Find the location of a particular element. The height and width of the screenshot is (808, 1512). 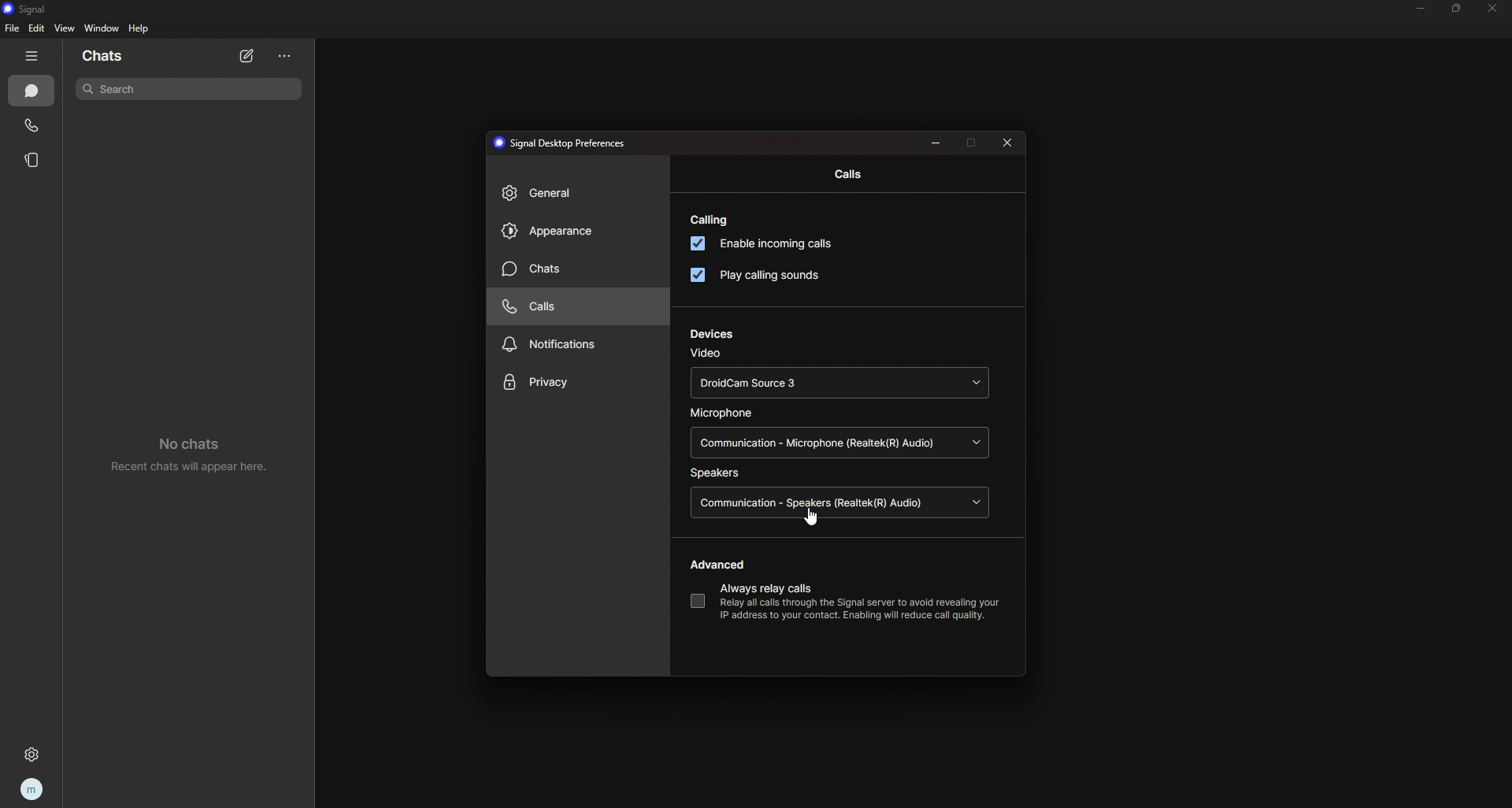

advanced is located at coordinates (721, 566).